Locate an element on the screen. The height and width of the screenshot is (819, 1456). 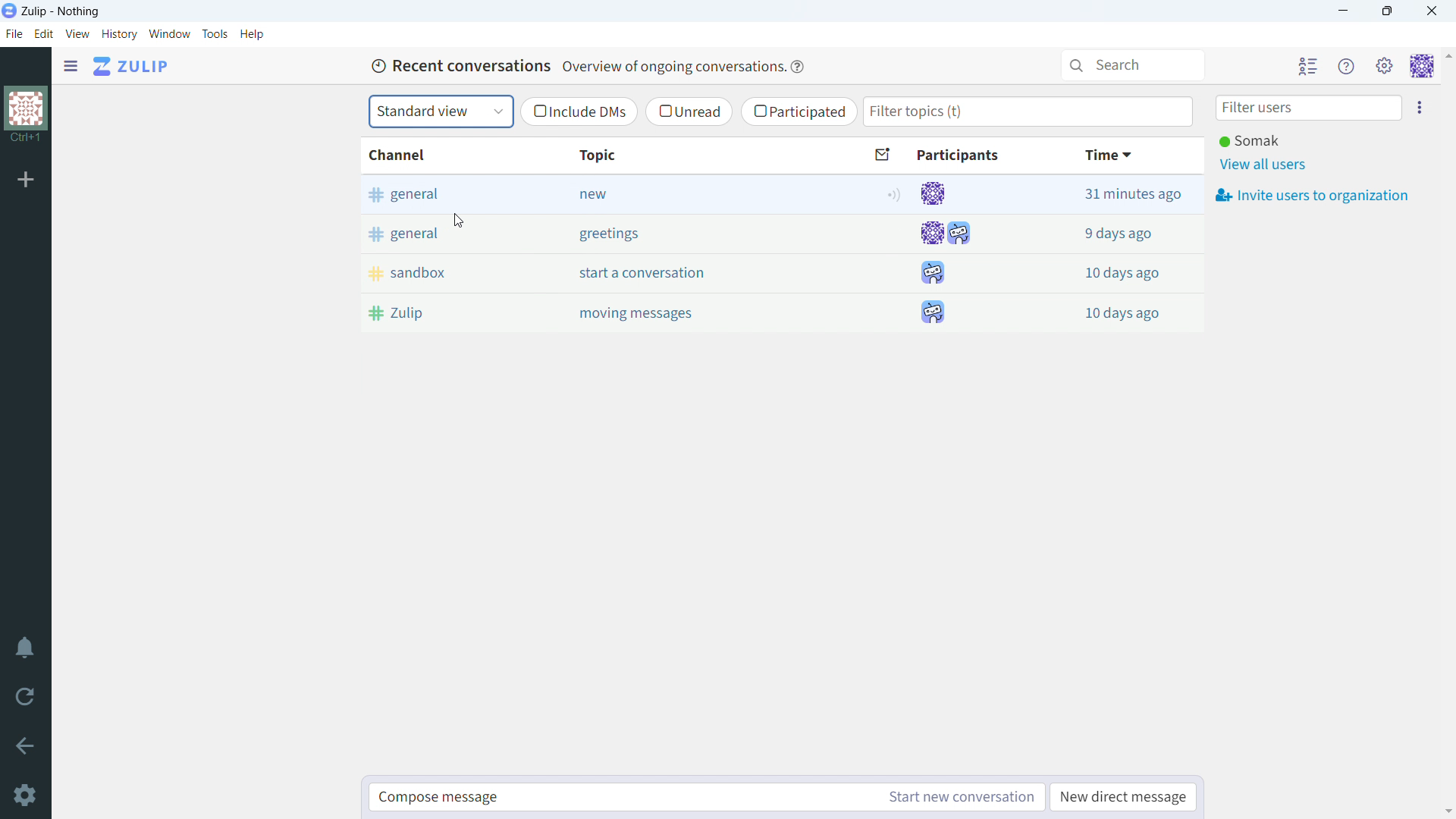
window is located at coordinates (170, 34).